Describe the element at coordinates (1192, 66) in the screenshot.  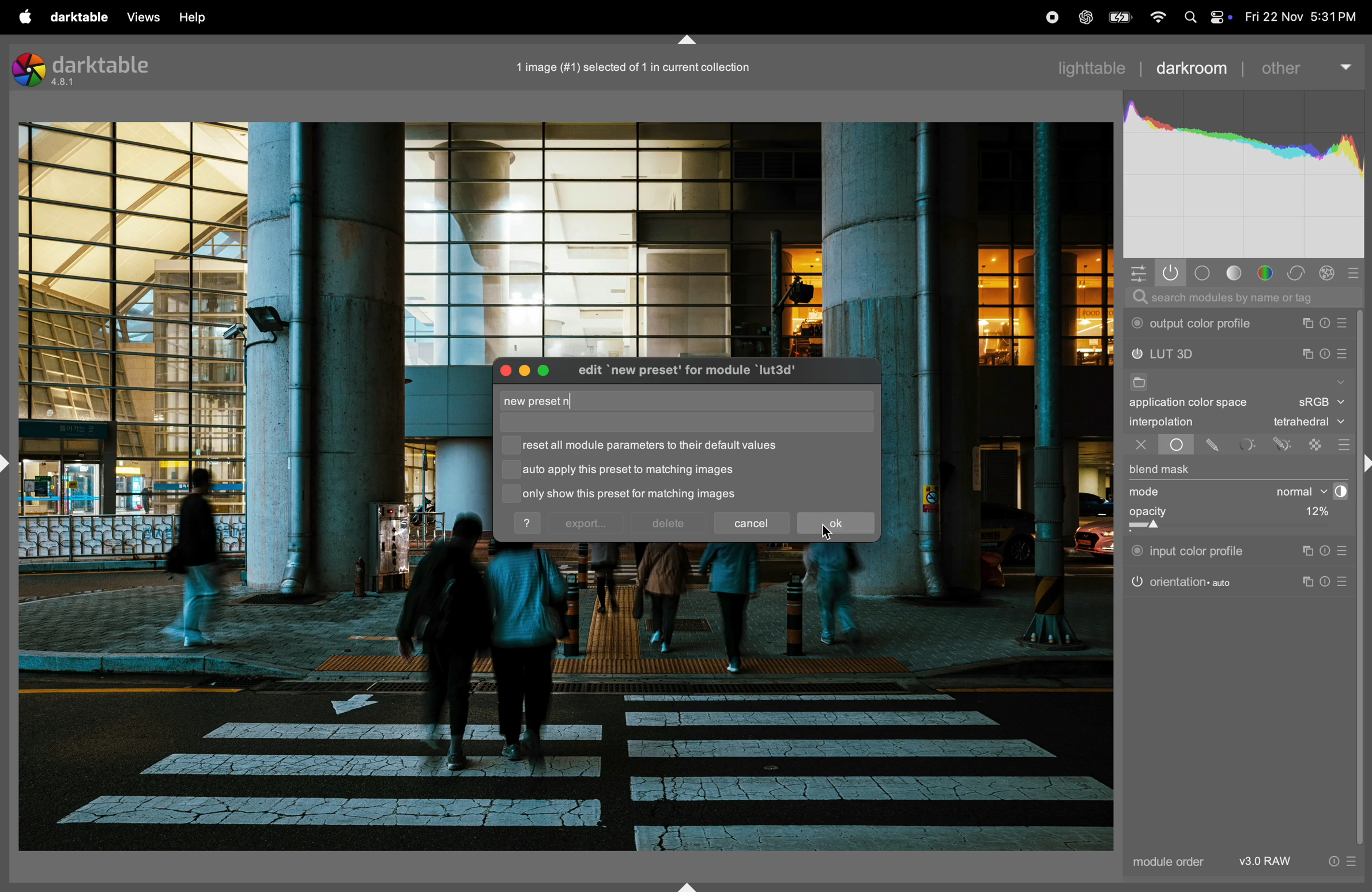
I see `darkroom` at that location.